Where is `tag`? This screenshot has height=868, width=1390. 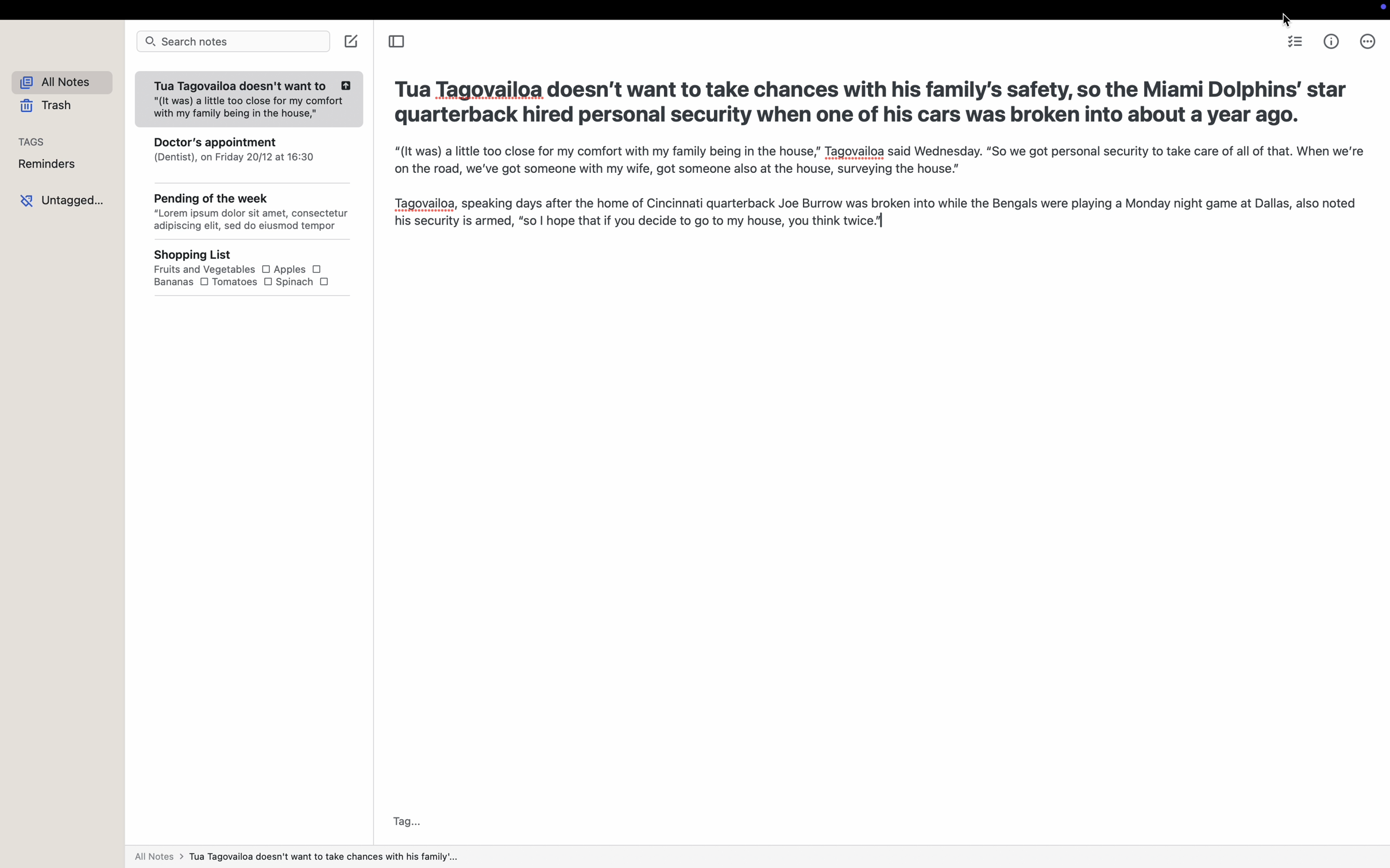
tag is located at coordinates (408, 821).